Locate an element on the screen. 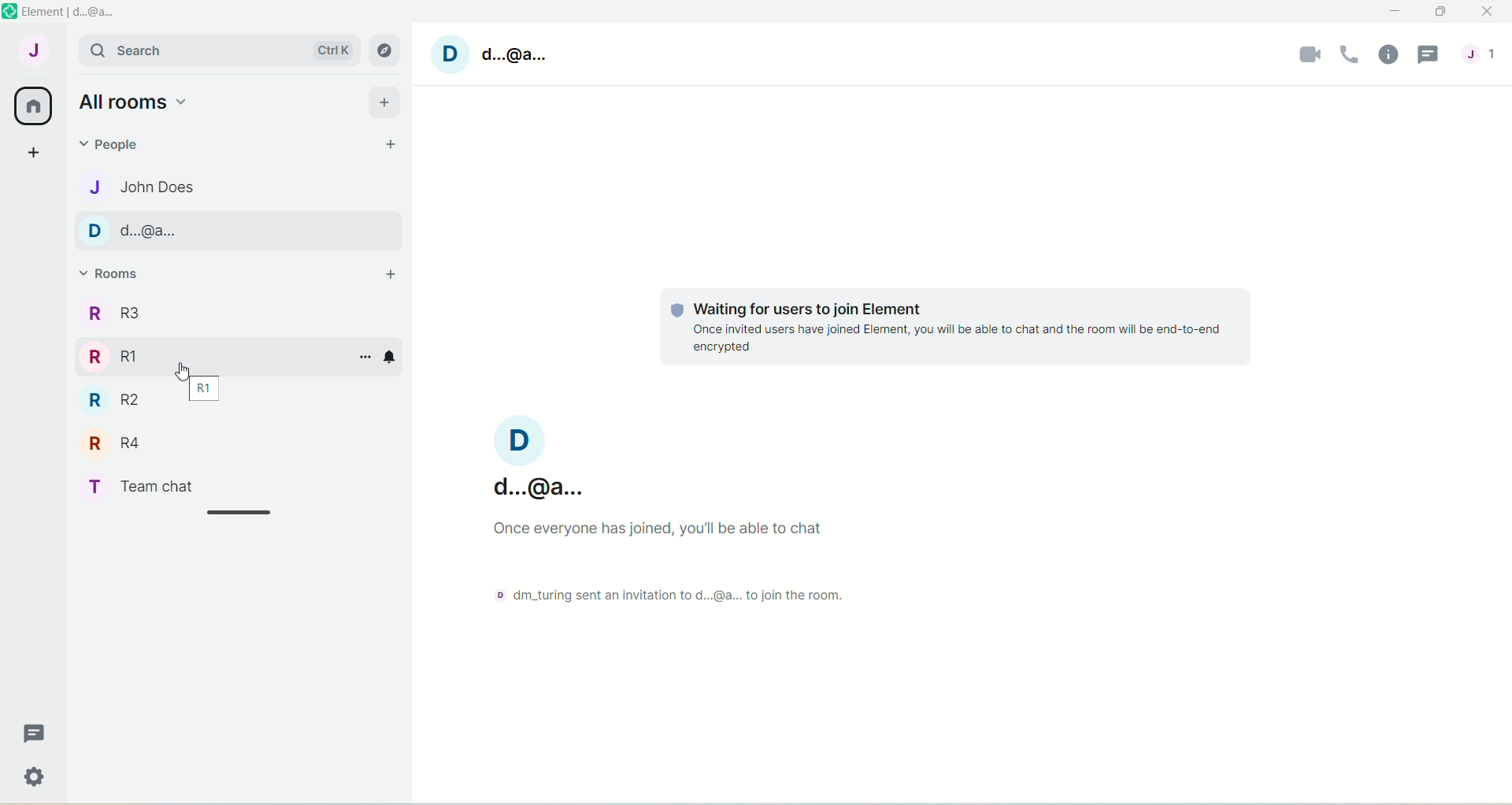 This screenshot has height=805, width=1512. create a space is located at coordinates (35, 151).